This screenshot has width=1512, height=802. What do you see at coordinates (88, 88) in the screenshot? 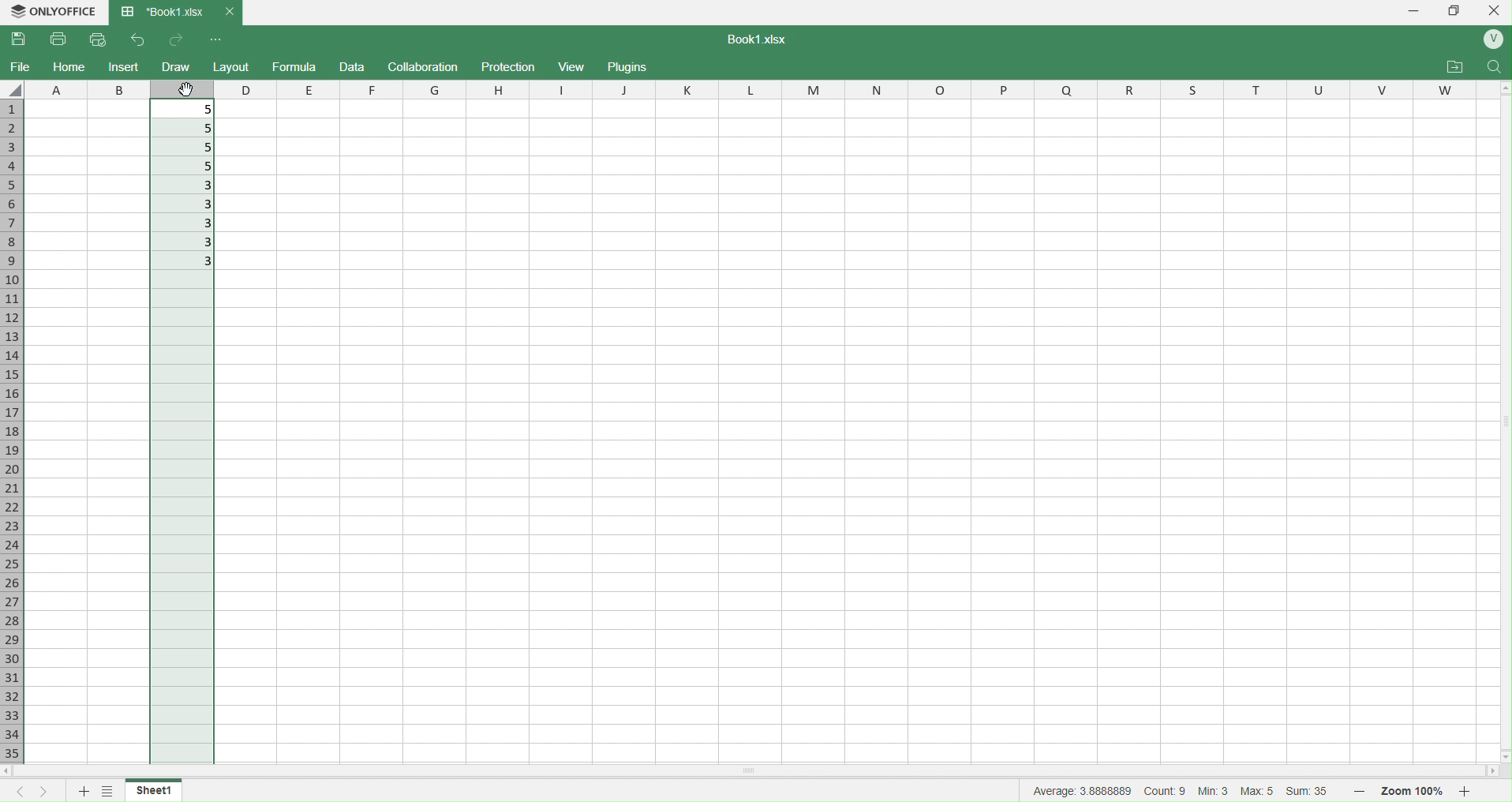
I see `columns` at bounding box center [88, 88].